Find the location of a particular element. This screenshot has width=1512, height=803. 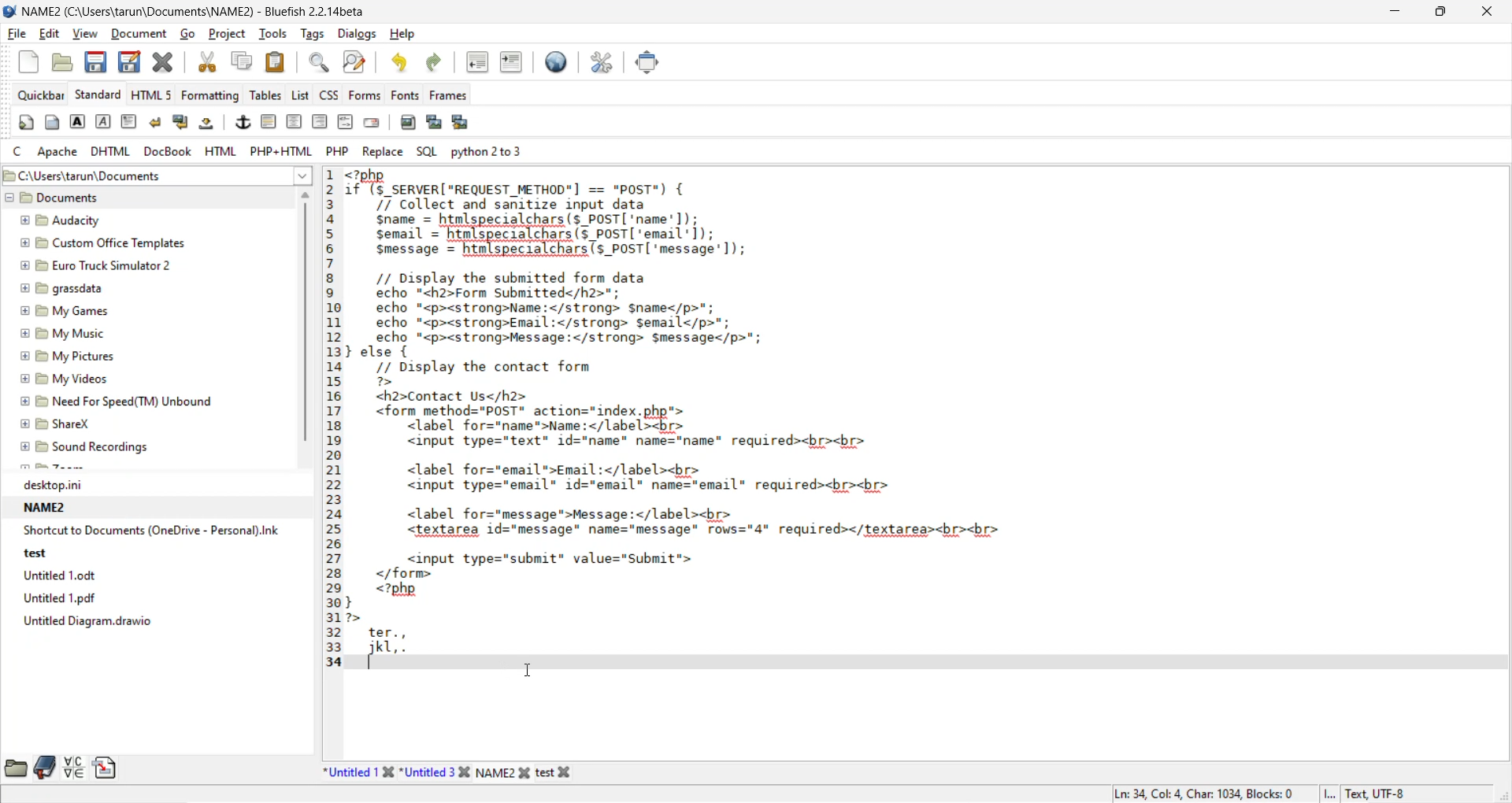

preview in browser is located at coordinates (557, 62).